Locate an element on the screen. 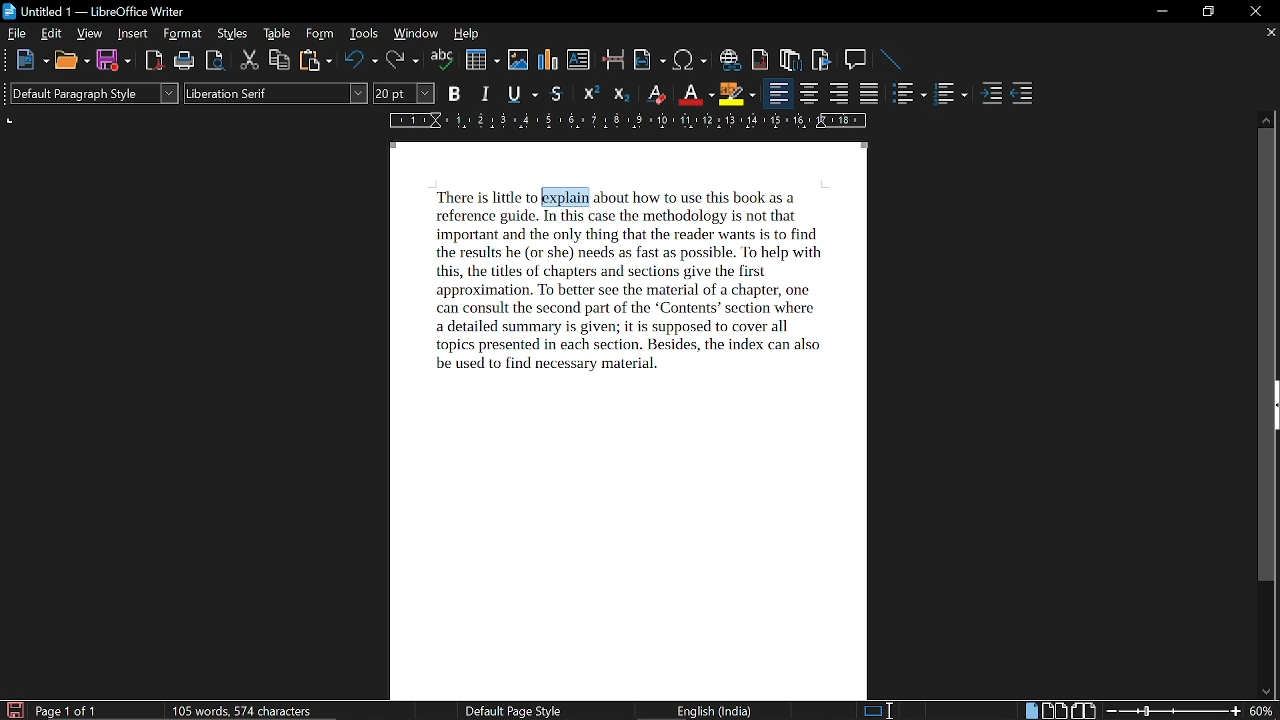 This screenshot has width=1280, height=720. scale is located at coordinates (625, 122).